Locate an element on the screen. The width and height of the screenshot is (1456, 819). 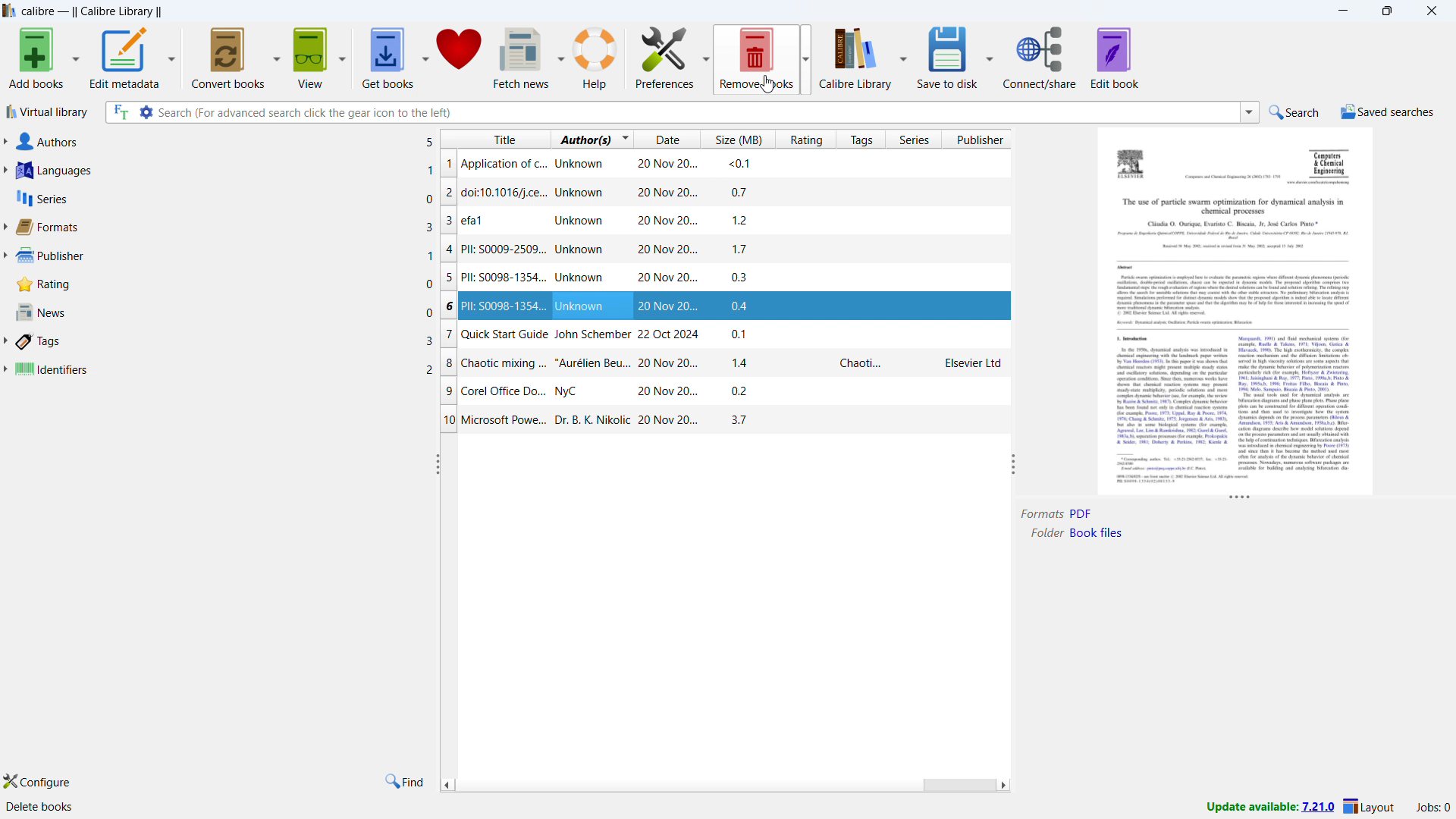
edit metadata  is located at coordinates (125, 56).